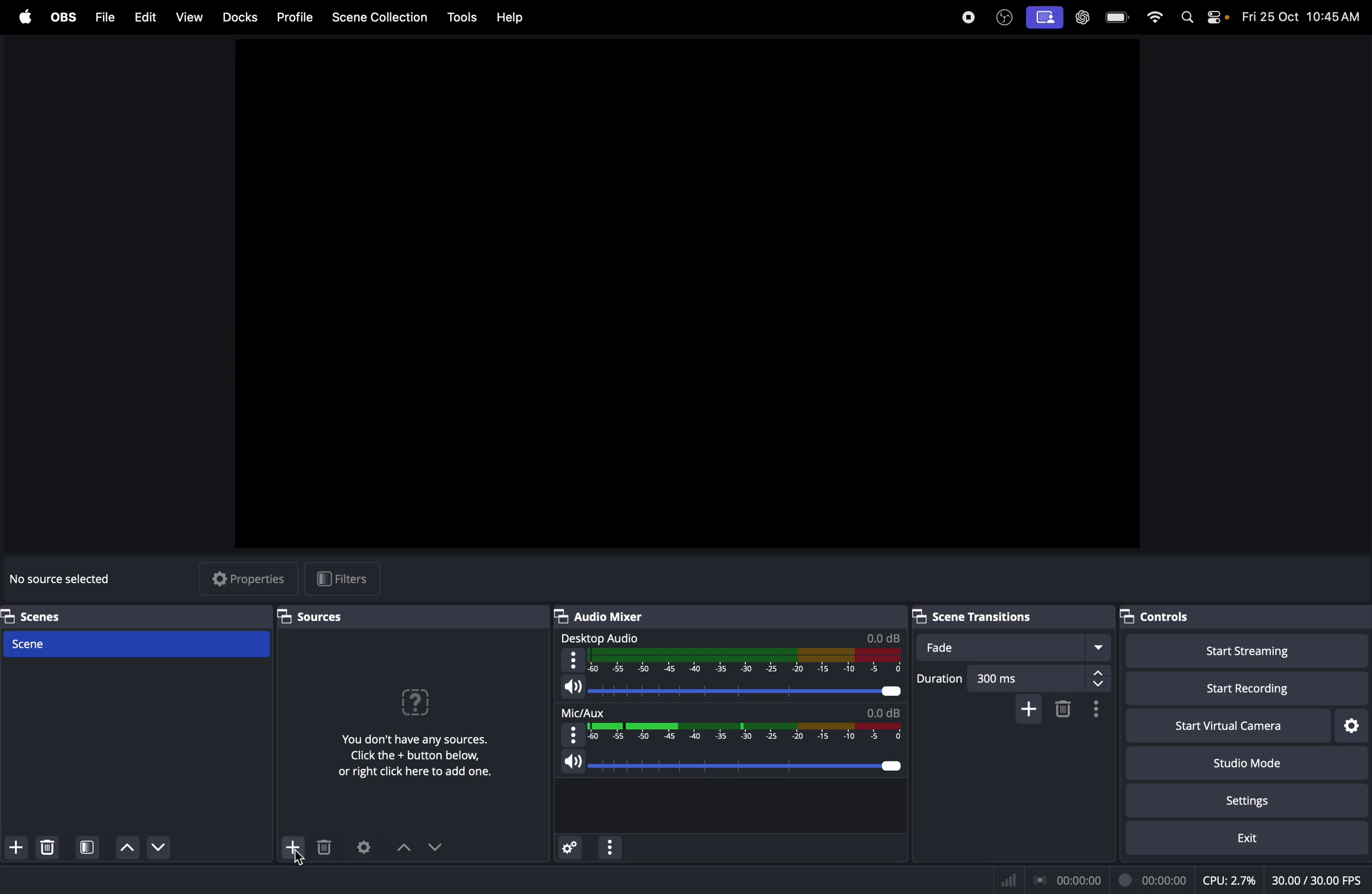 This screenshot has height=894, width=1372. What do you see at coordinates (52, 847) in the screenshot?
I see `delete` at bounding box center [52, 847].